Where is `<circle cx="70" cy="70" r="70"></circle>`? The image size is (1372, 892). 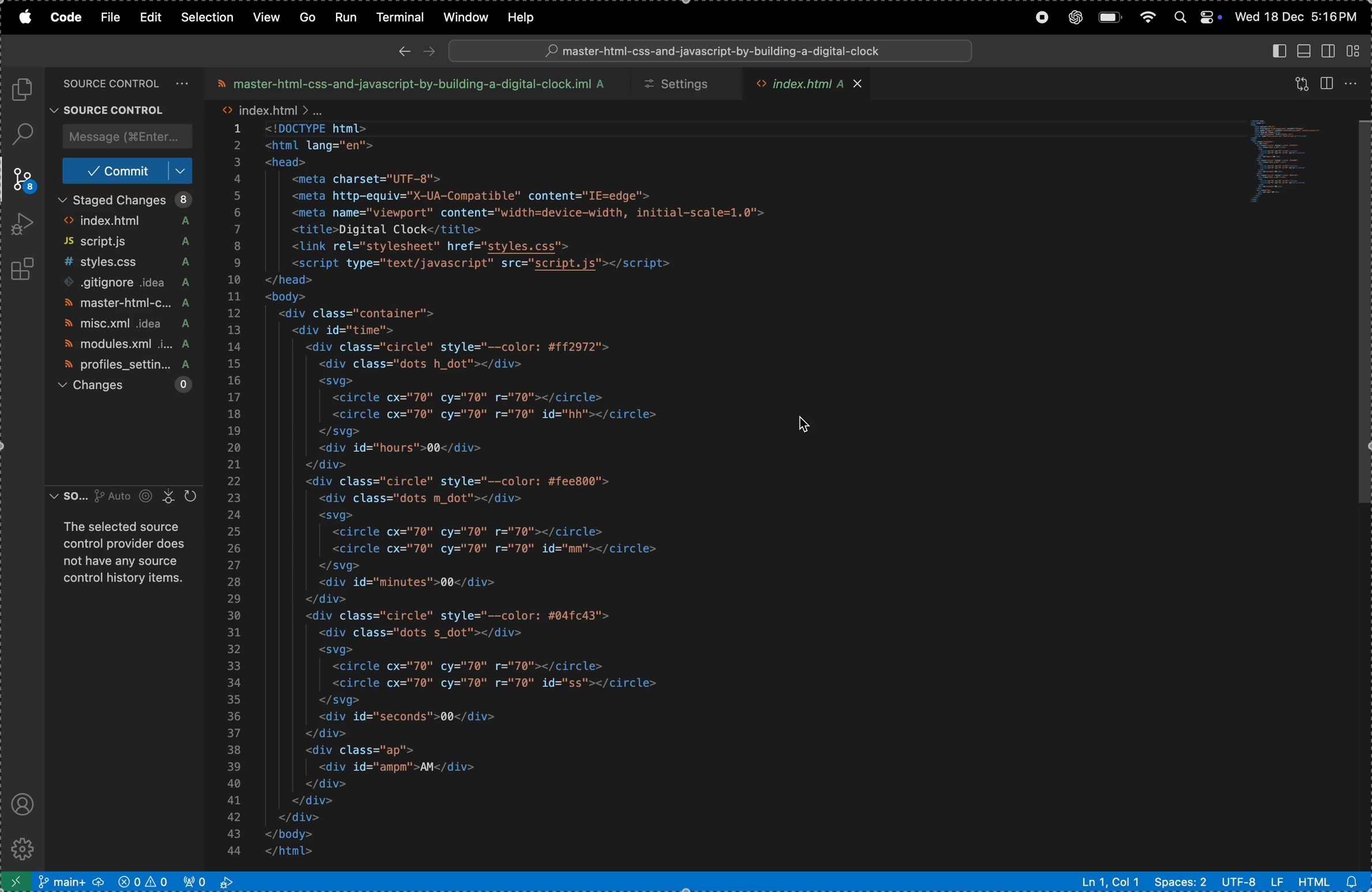
<circle cx="70" cy="70" r="70"></circle> is located at coordinates (480, 532).